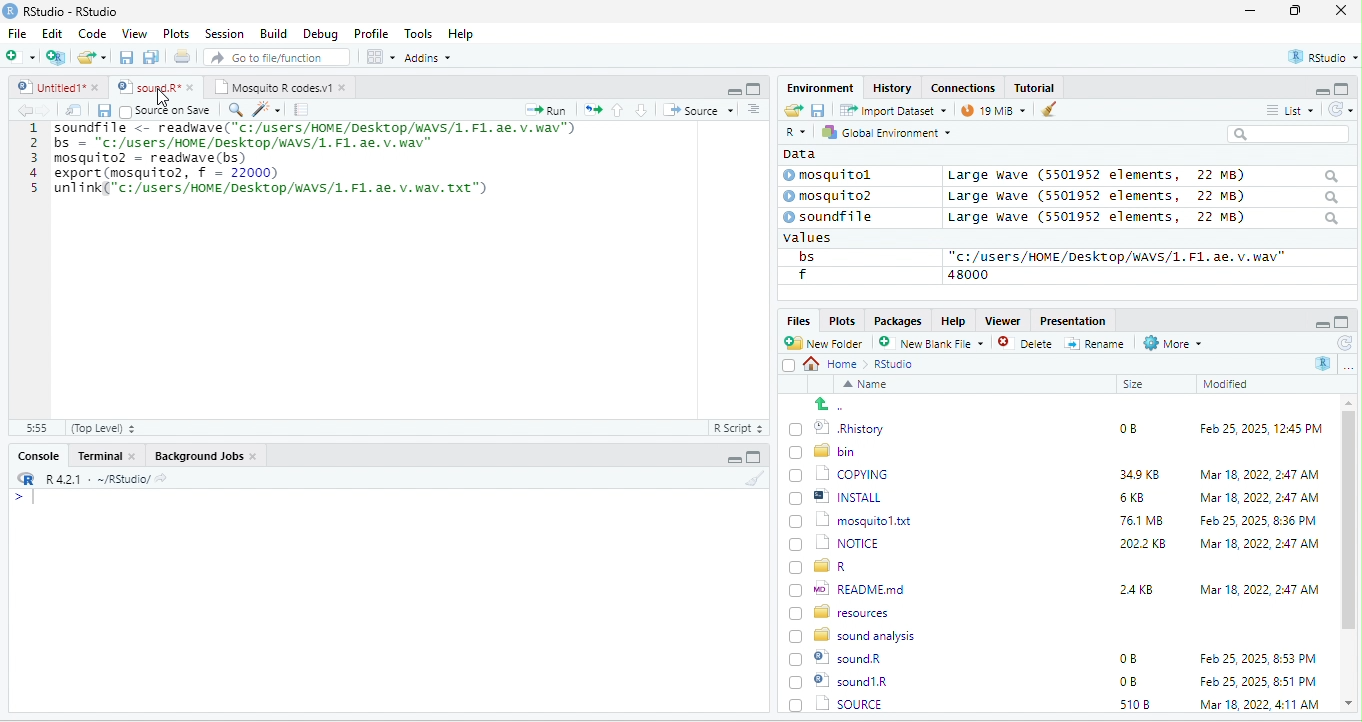  Describe the element at coordinates (107, 455) in the screenshot. I see `Terminal` at that location.